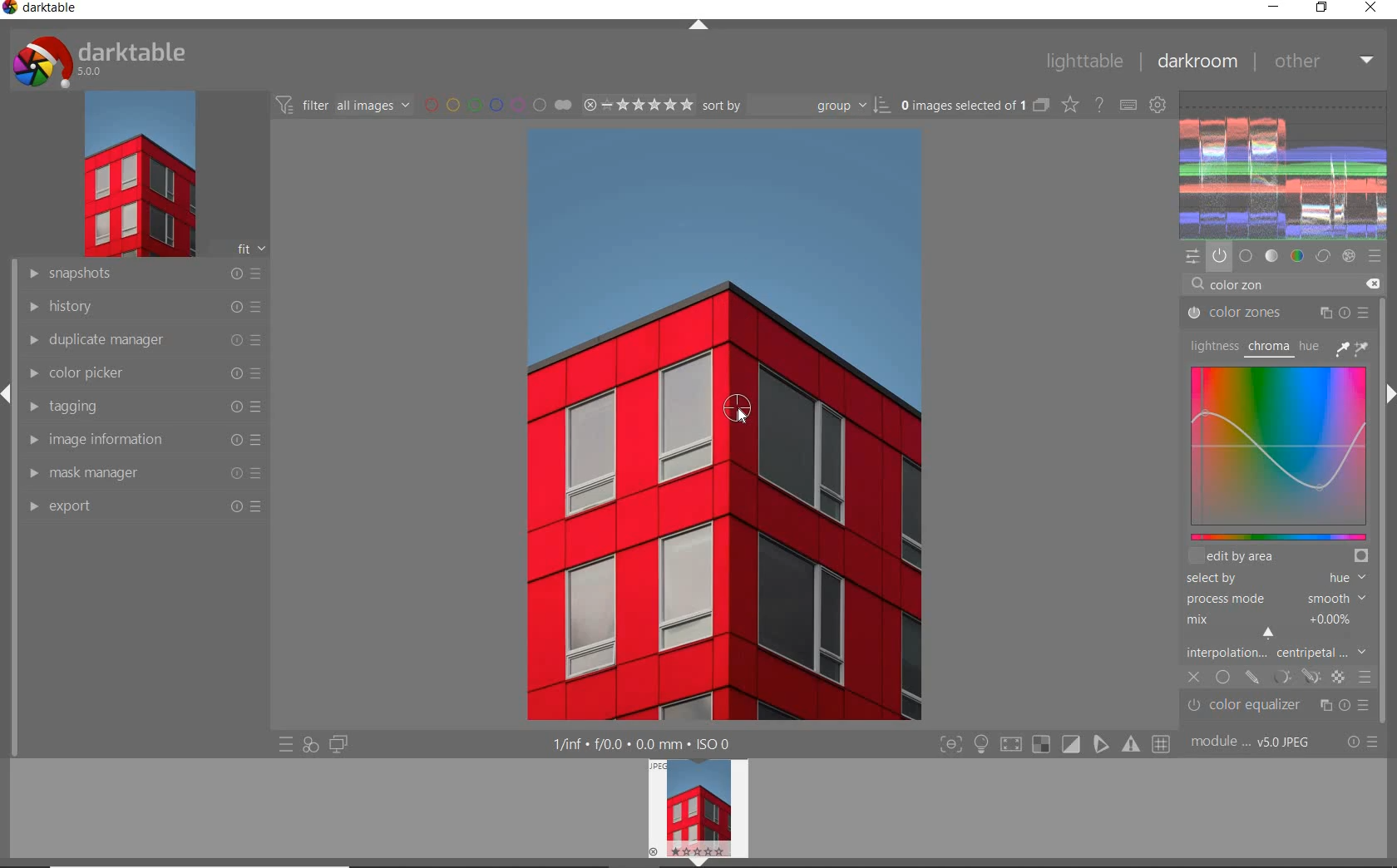  What do you see at coordinates (138, 176) in the screenshot?
I see `image` at bounding box center [138, 176].